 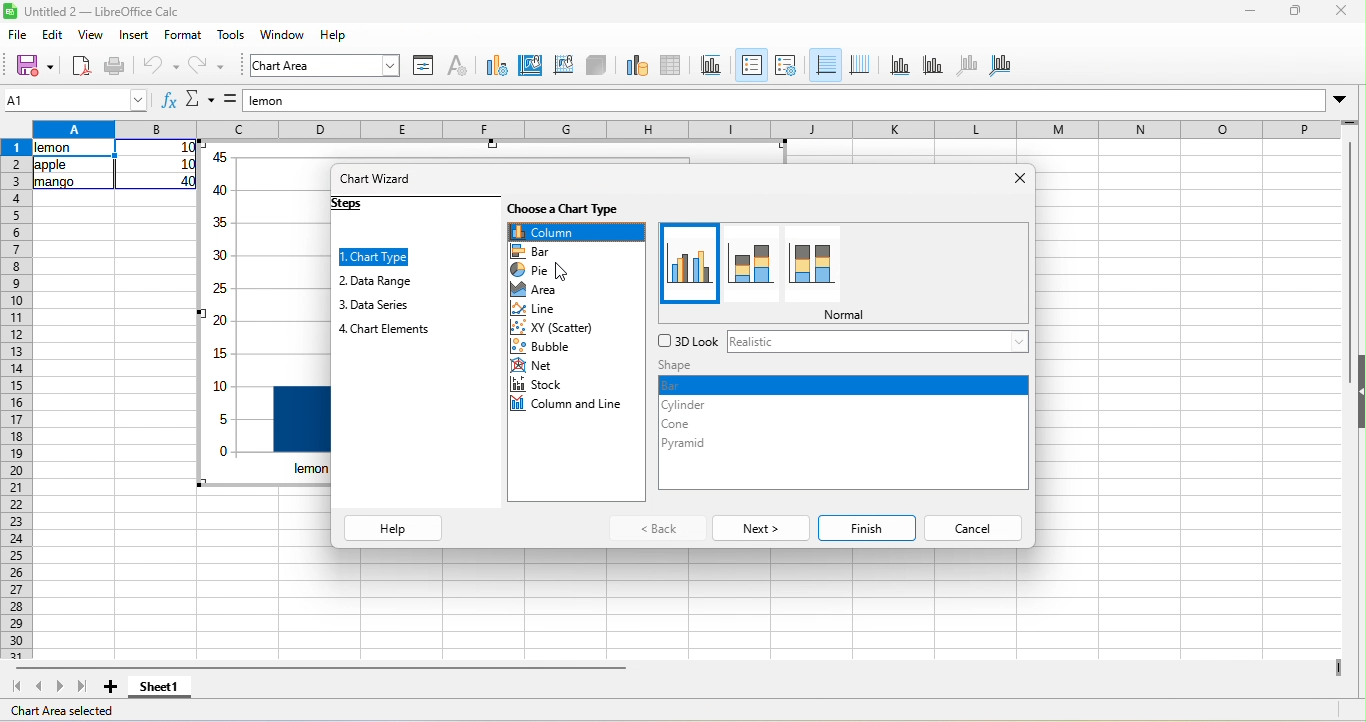 I want to click on line, so click(x=555, y=310).